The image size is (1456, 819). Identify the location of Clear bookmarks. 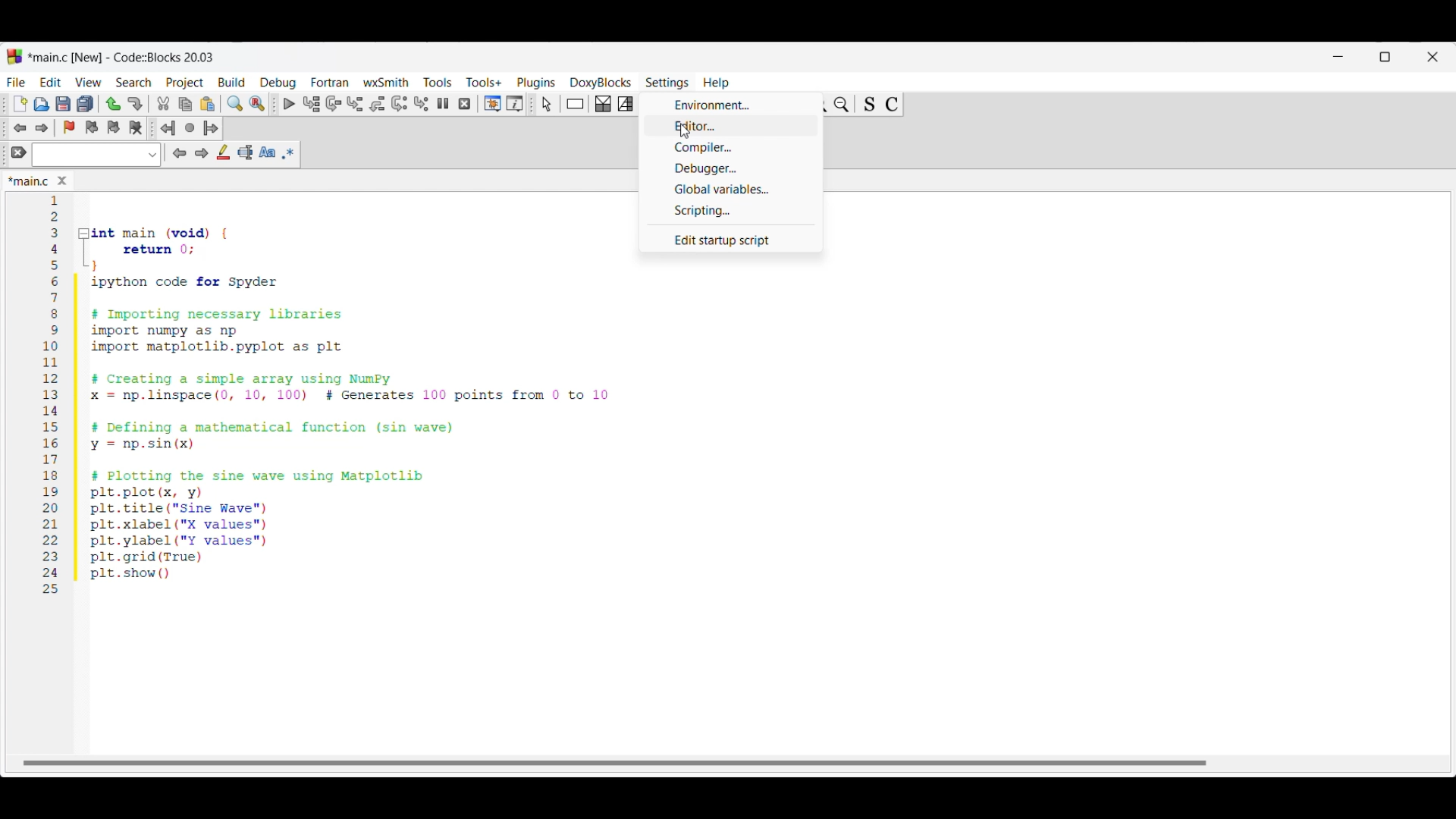
(135, 128).